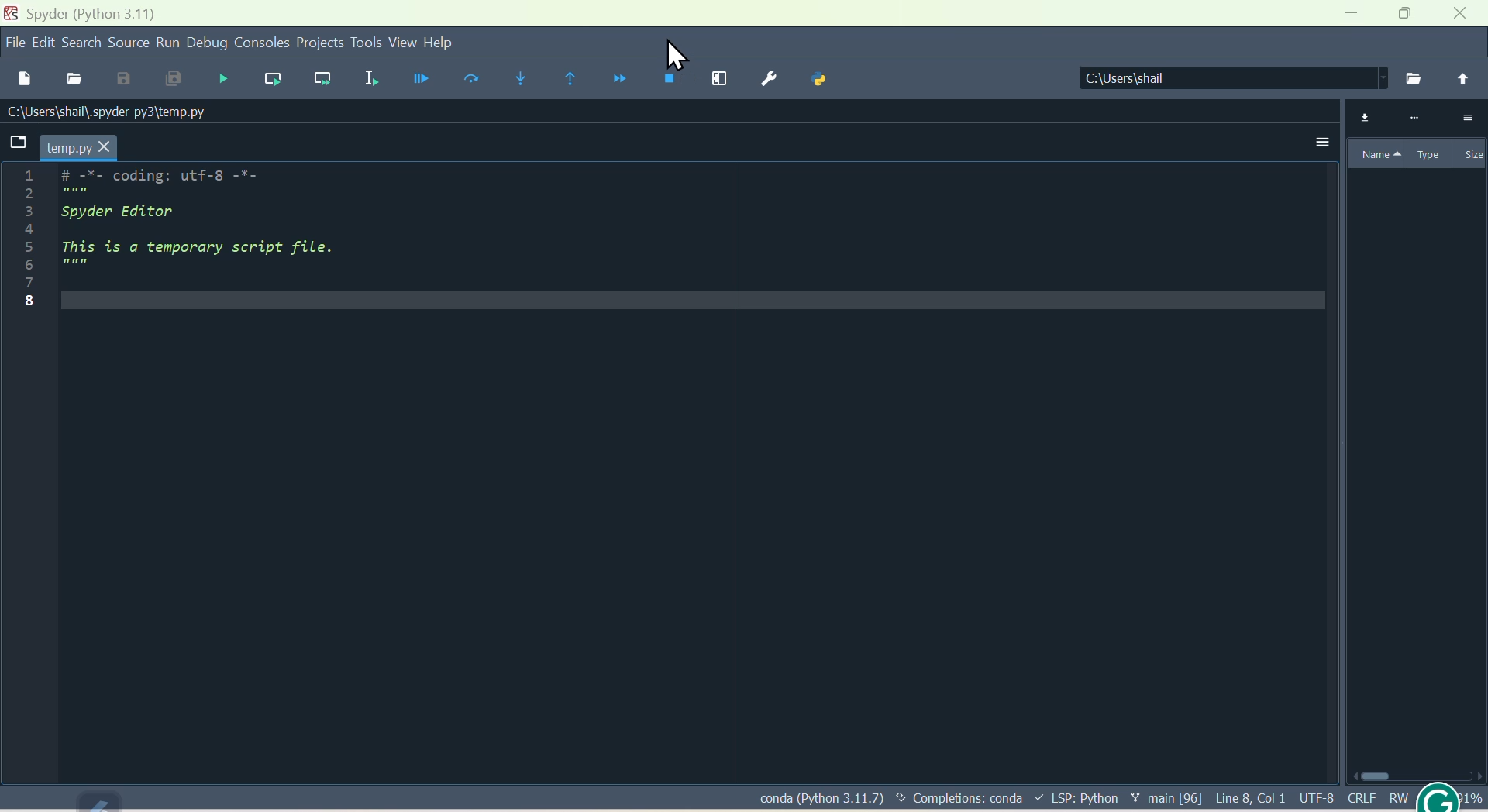  What do you see at coordinates (45, 40) in the screenshot?
I see `` at bounding box center [45, 40].